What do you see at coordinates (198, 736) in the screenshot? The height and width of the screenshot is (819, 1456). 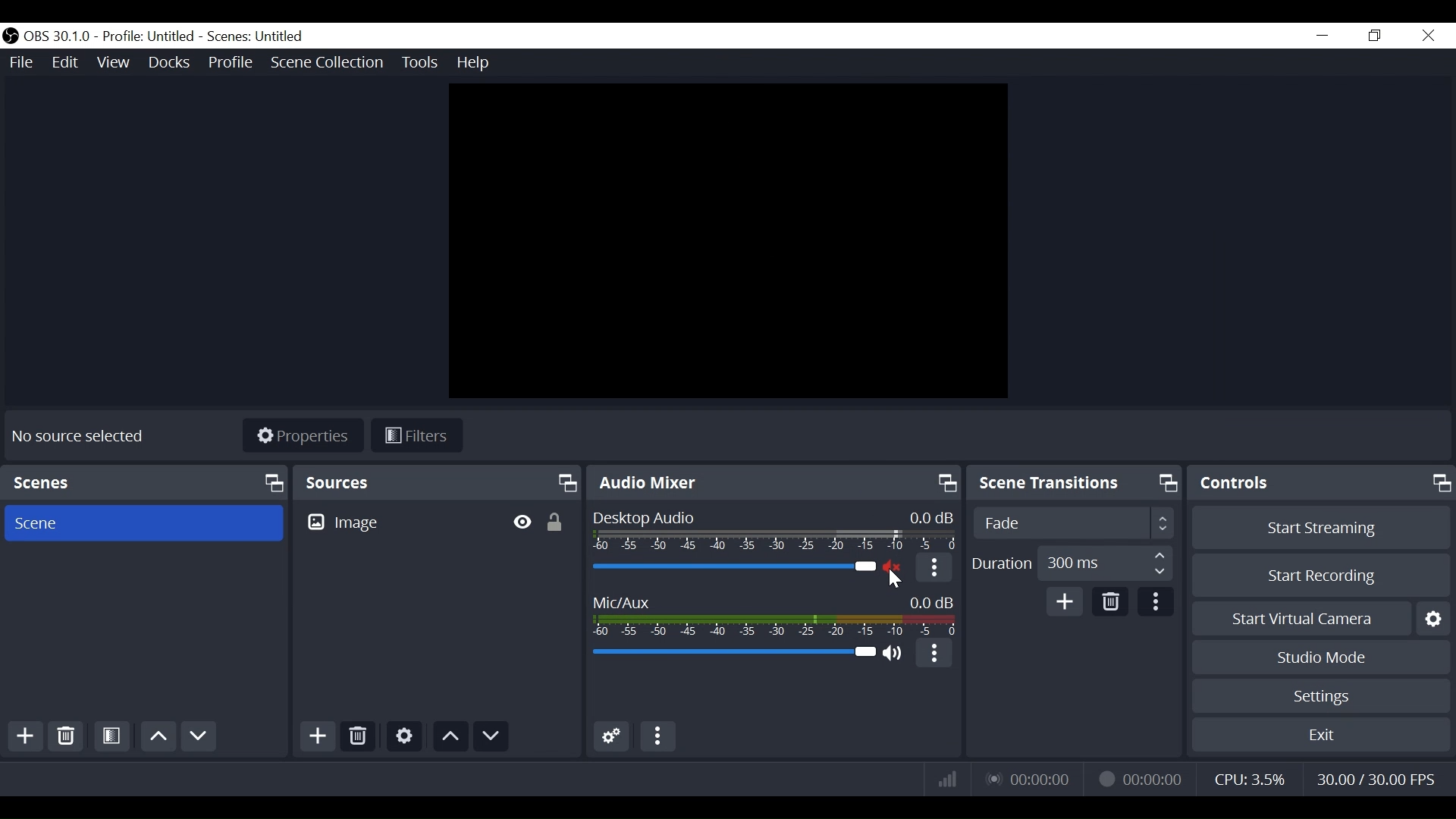 I see `Move Down` at bounding box center [198, 736].